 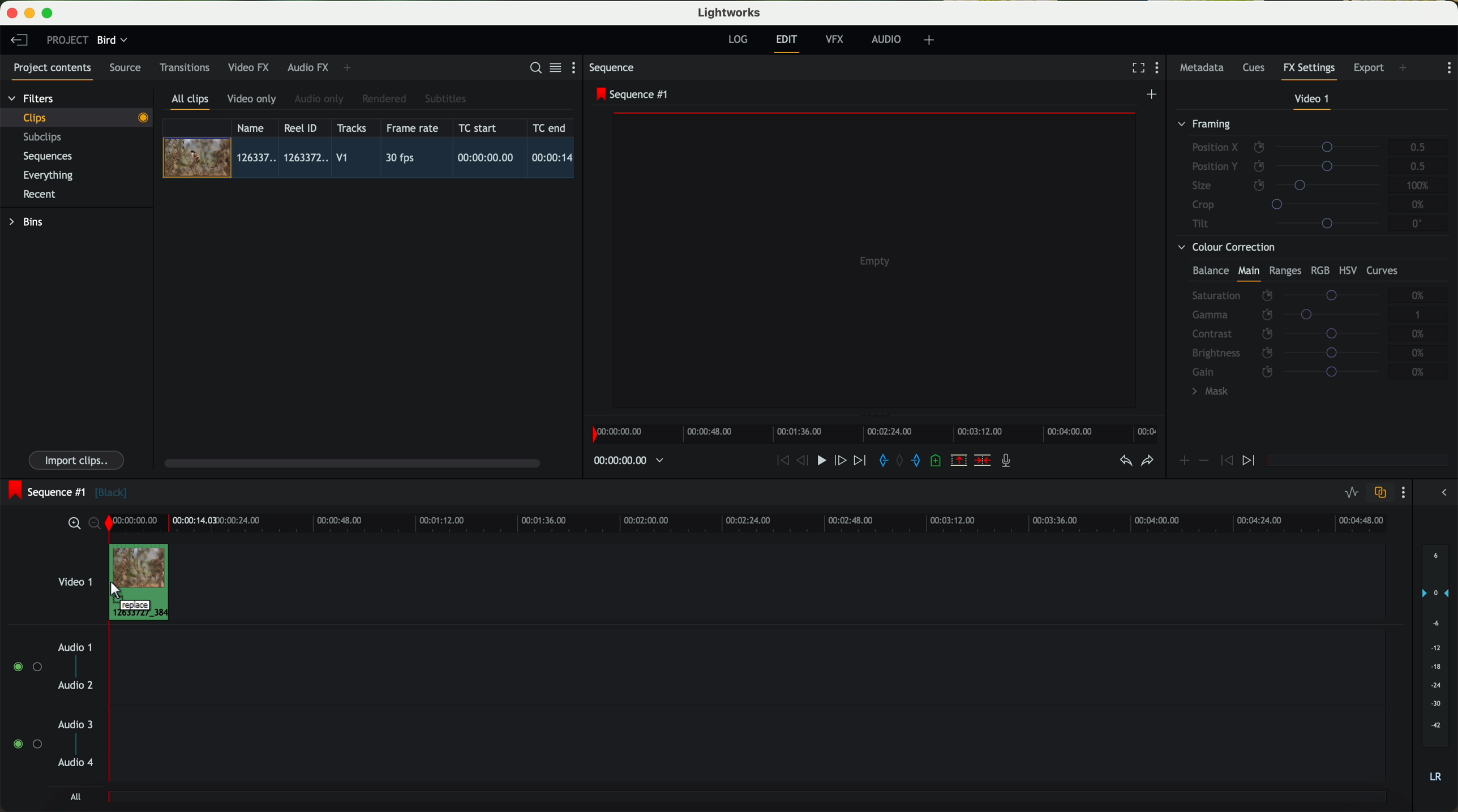 What do you see at coordinates (372, 160) in the screenshot?
I see `click on video` at bounding box center [372, 160].